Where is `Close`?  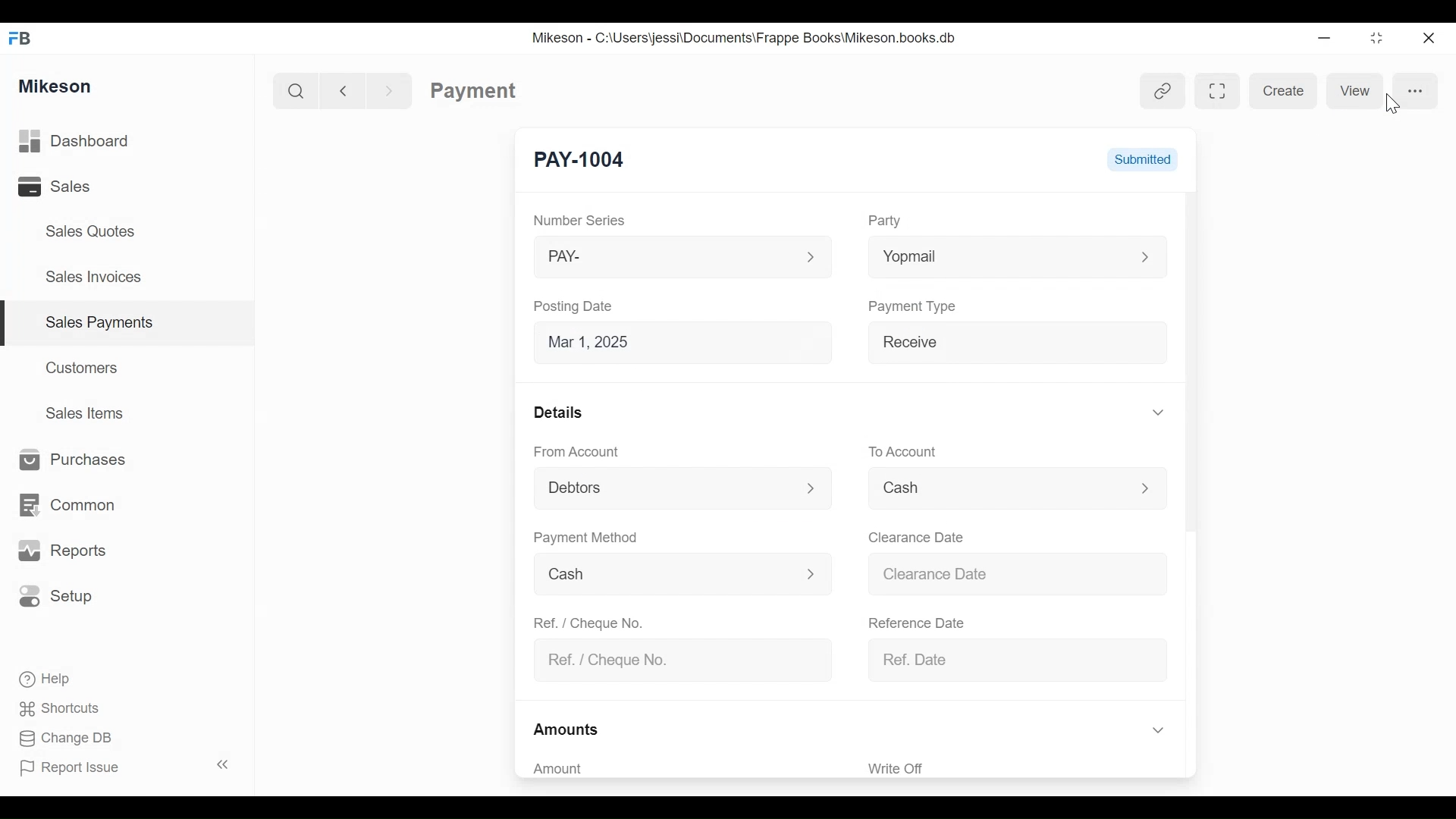 Close is located at coordinates (1426, 36).